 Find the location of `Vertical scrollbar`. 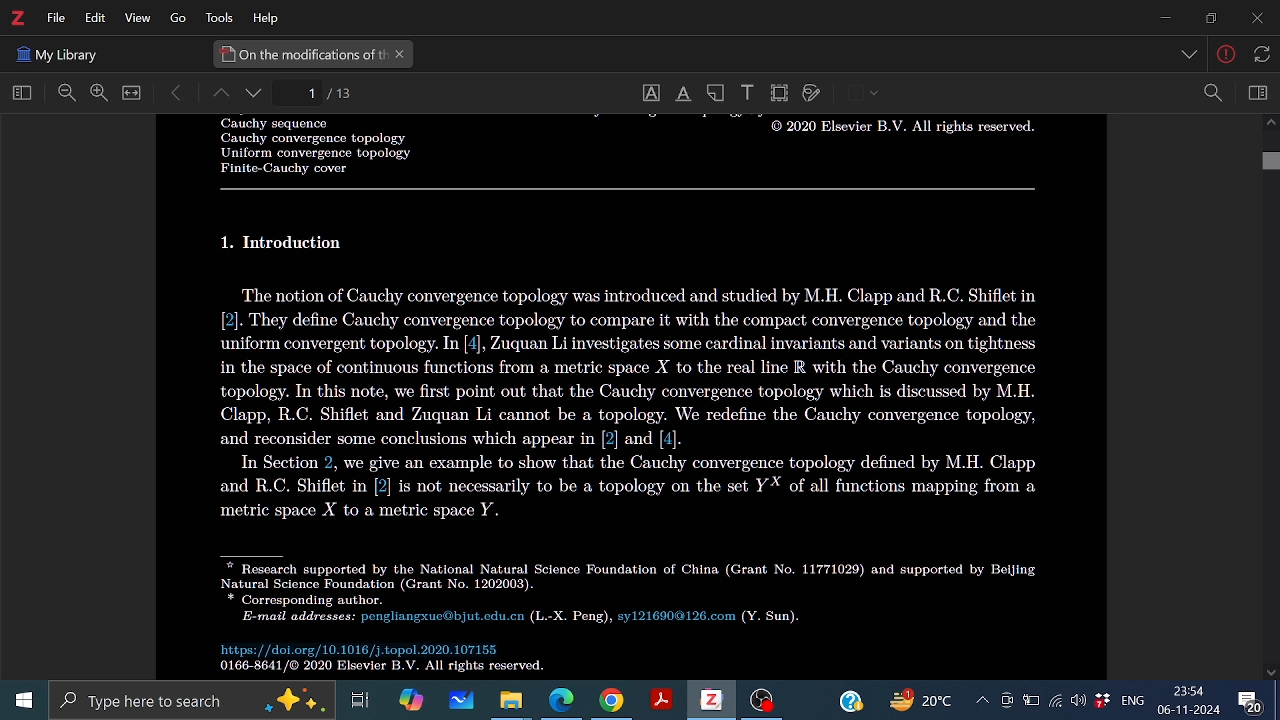

Vertical scrollbar is located at coordinates (1270, 163).